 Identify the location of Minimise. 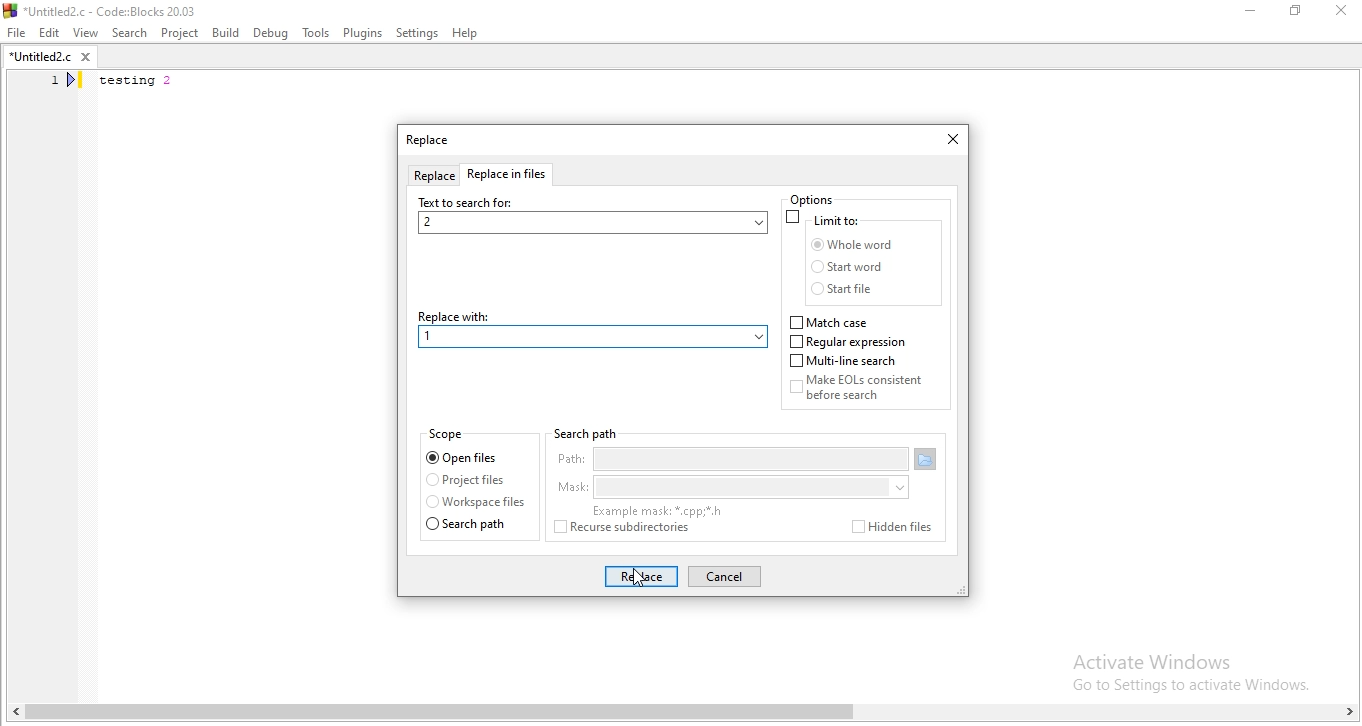
(1250, 14).